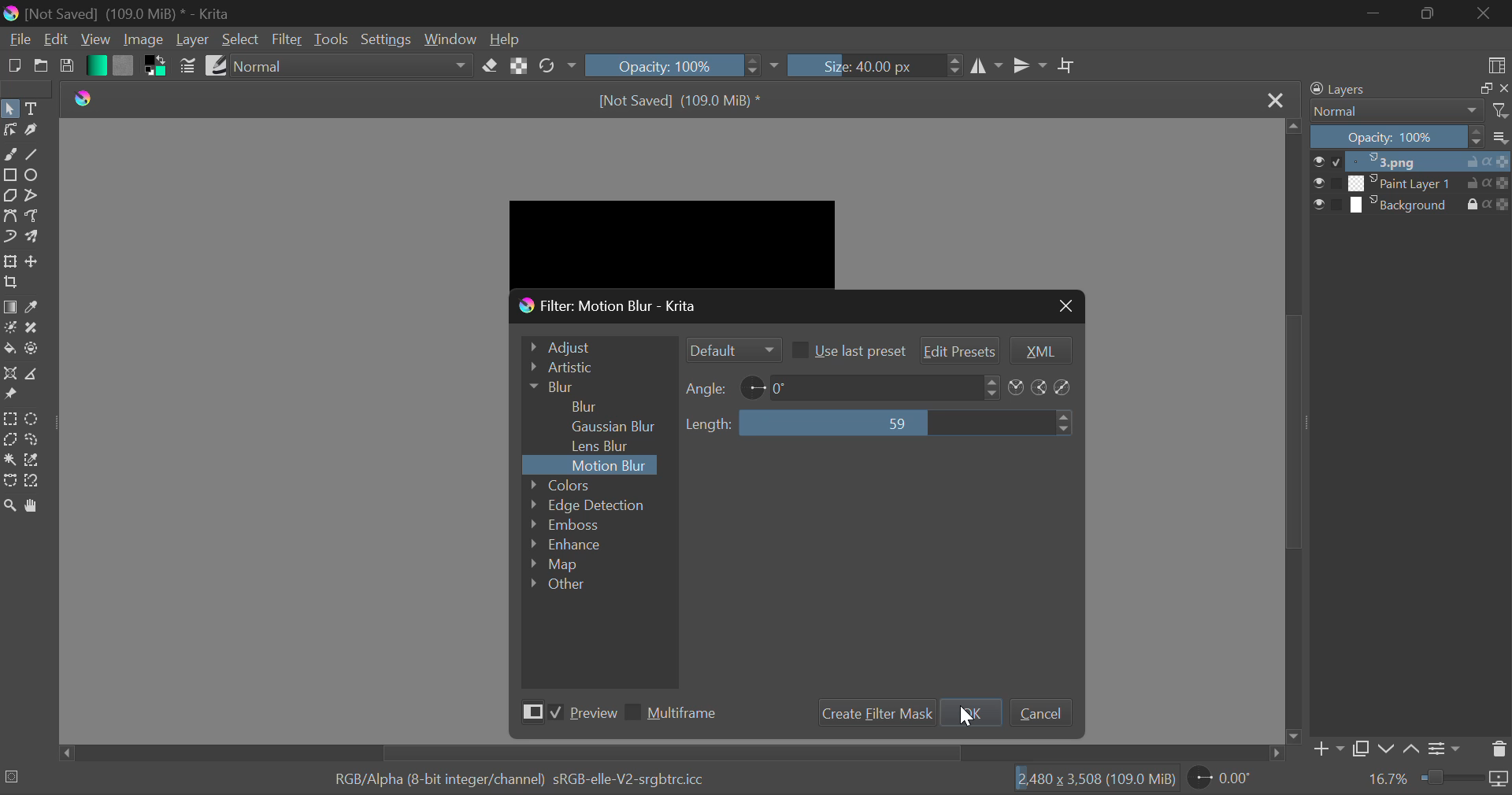 This screenshot has width=1512, height=795. What do you see at coordinates (565, 715) in the screenshot?
I see `Preview` at bounding box center [565, 715].